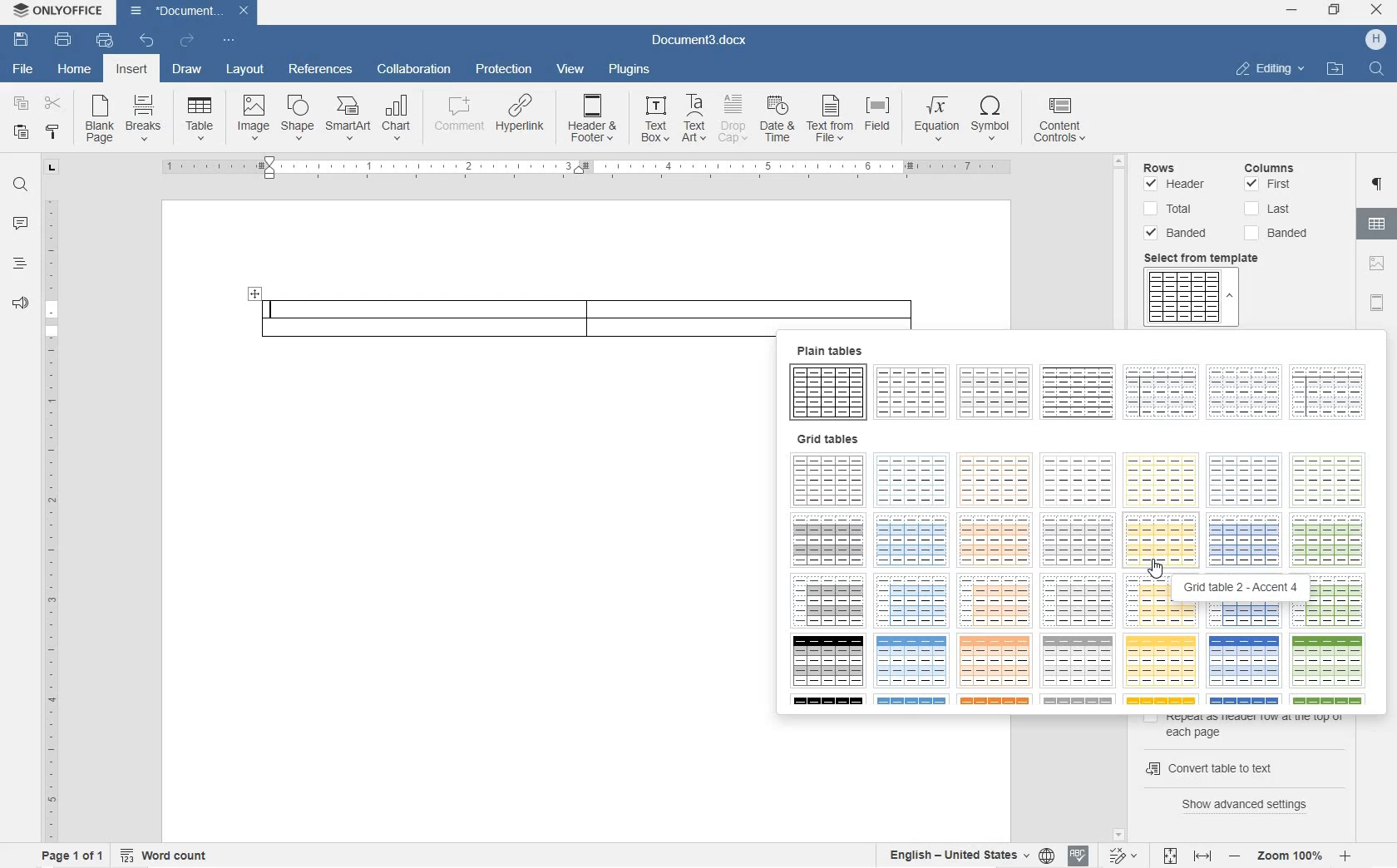 The height and width of the screenshot is (868, 1397). I want to click on Date & Time, so click(779, 121).